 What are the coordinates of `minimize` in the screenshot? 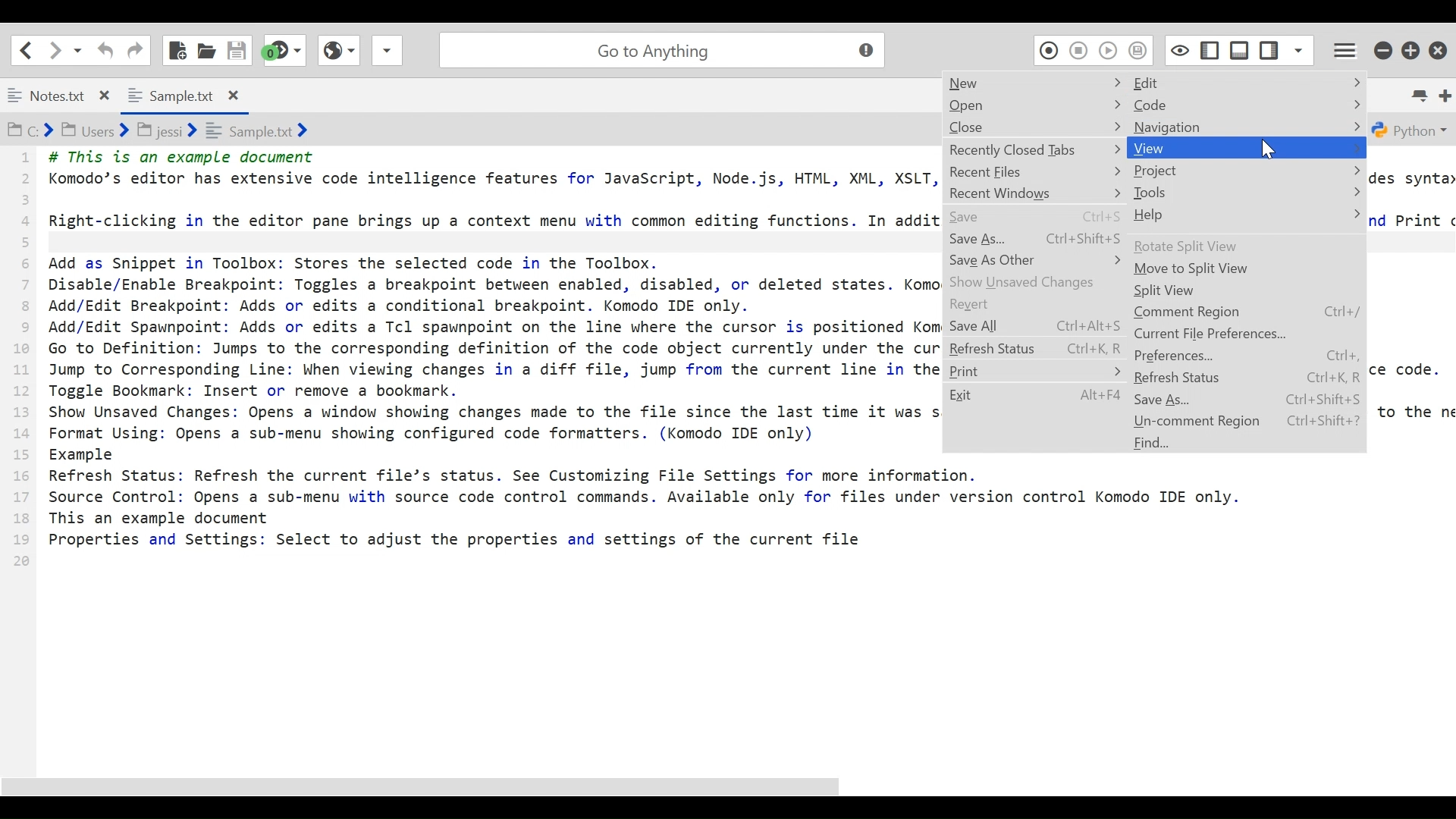 It's located at (1384, 51).